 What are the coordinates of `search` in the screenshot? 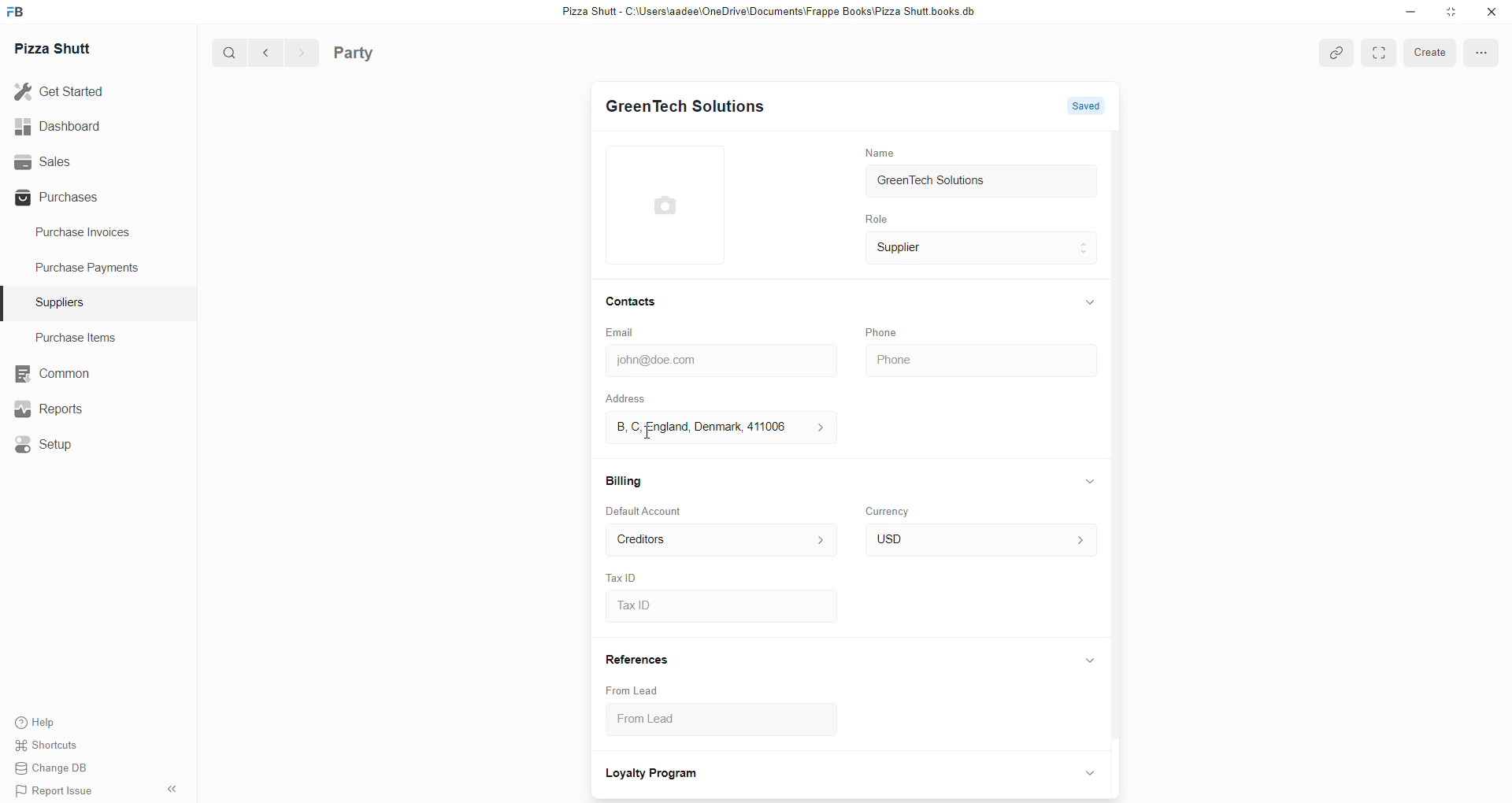 It's located at (224, 54).